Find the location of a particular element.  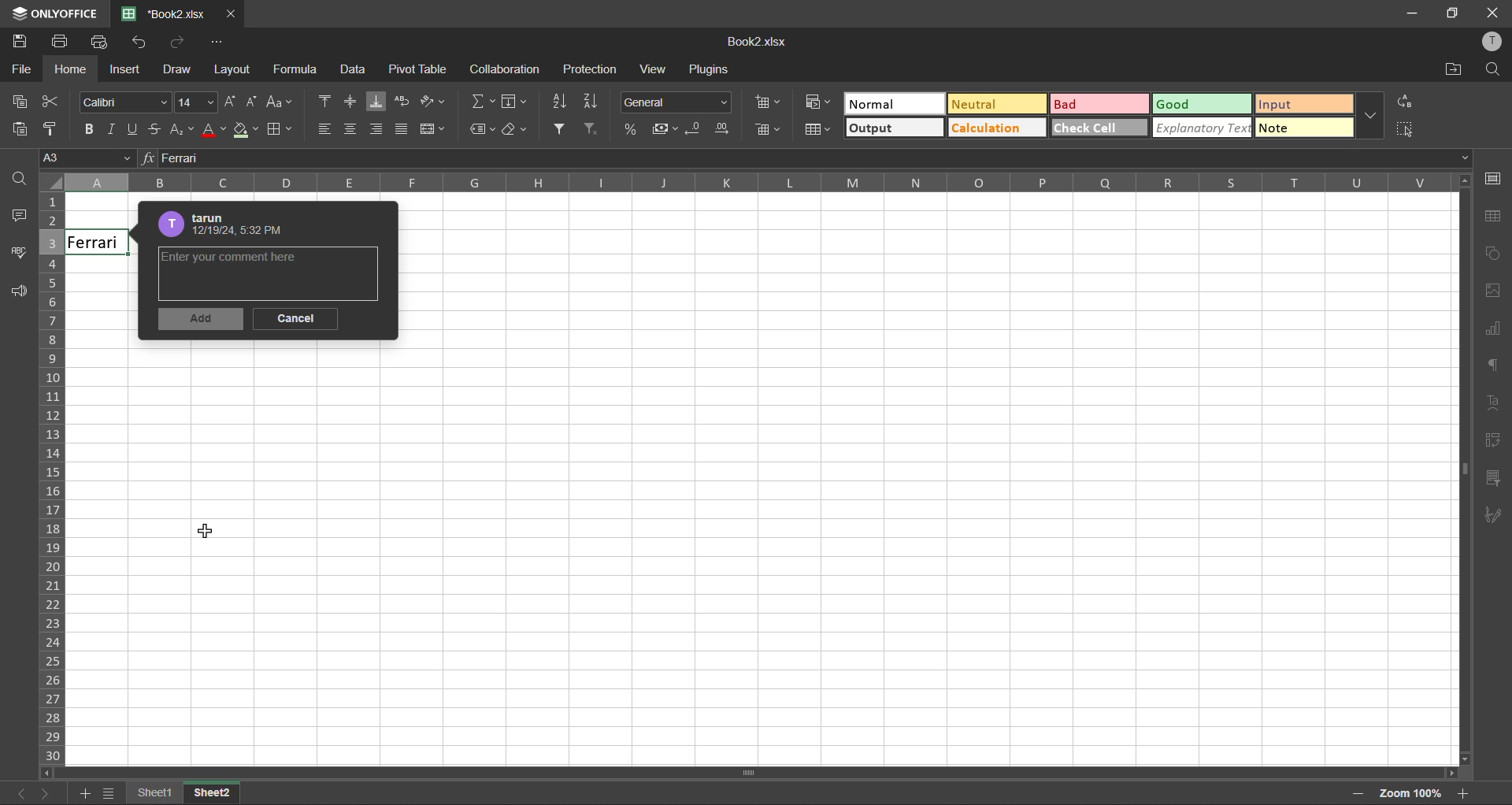

Horizontal Scrollbar is located at coordinates (1455, 474).